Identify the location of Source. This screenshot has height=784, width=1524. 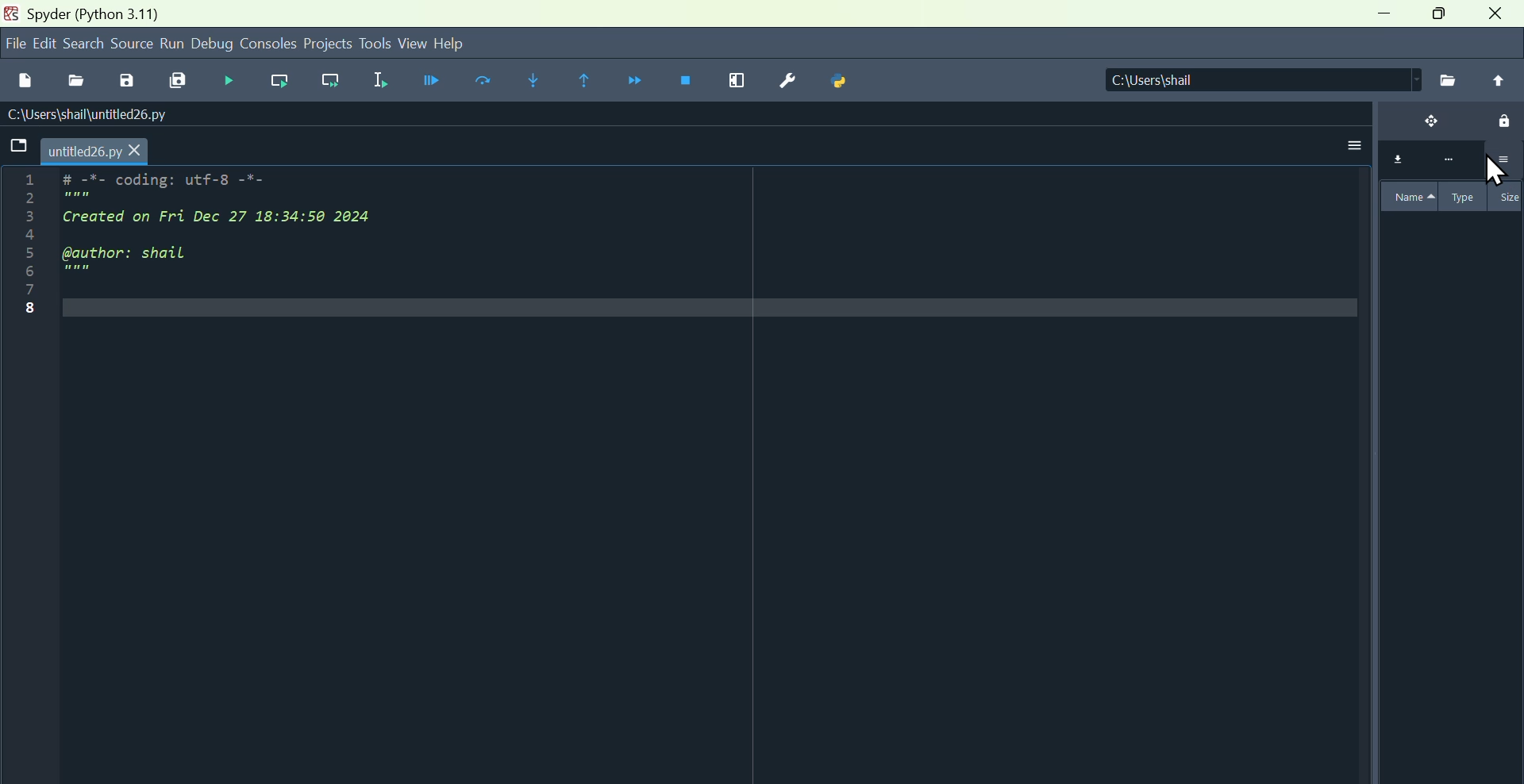
(132, 44).